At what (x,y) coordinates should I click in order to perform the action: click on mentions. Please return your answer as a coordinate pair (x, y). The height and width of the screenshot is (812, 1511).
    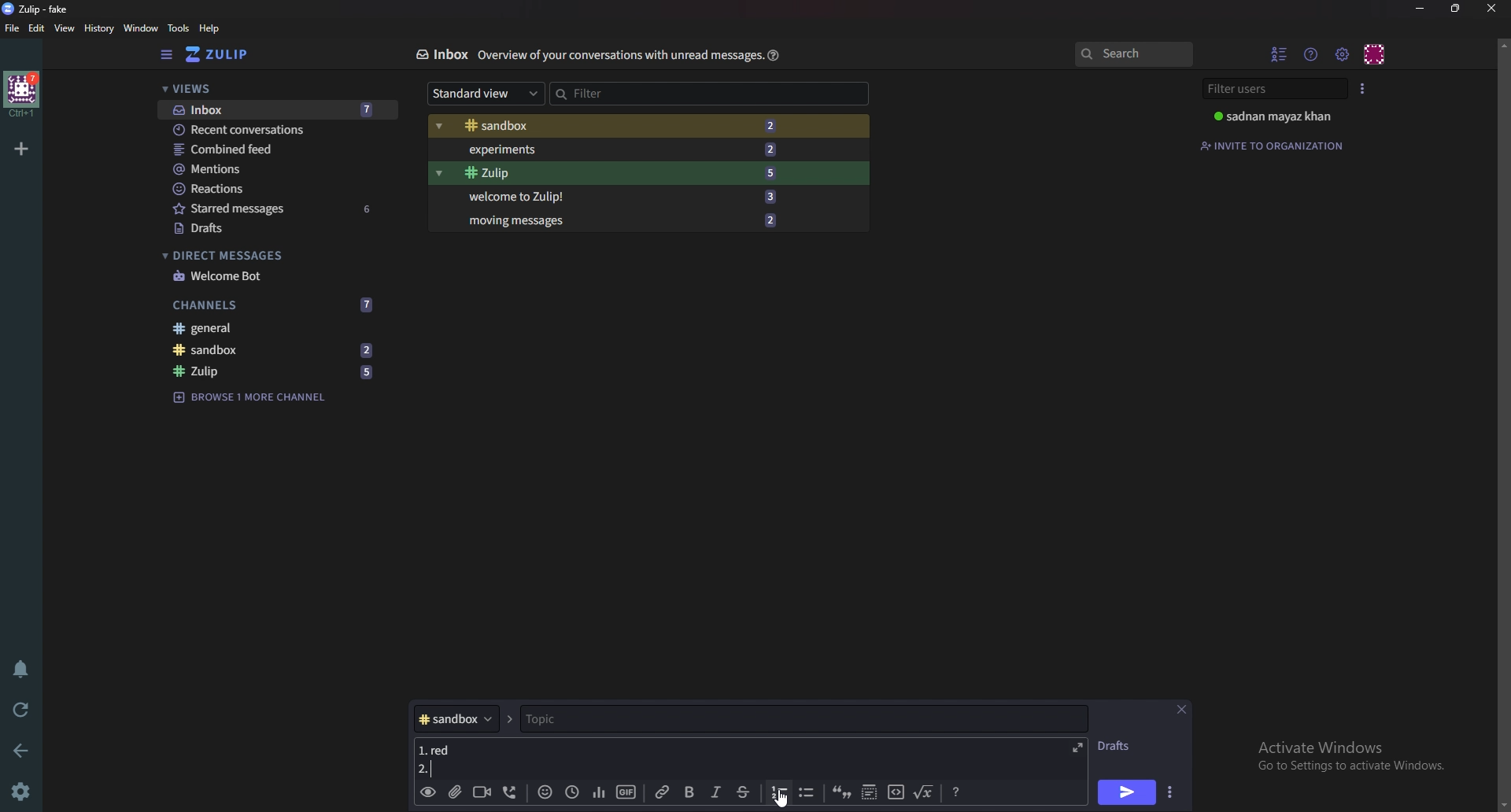
    Looking at the image, I should click on (277, 170).